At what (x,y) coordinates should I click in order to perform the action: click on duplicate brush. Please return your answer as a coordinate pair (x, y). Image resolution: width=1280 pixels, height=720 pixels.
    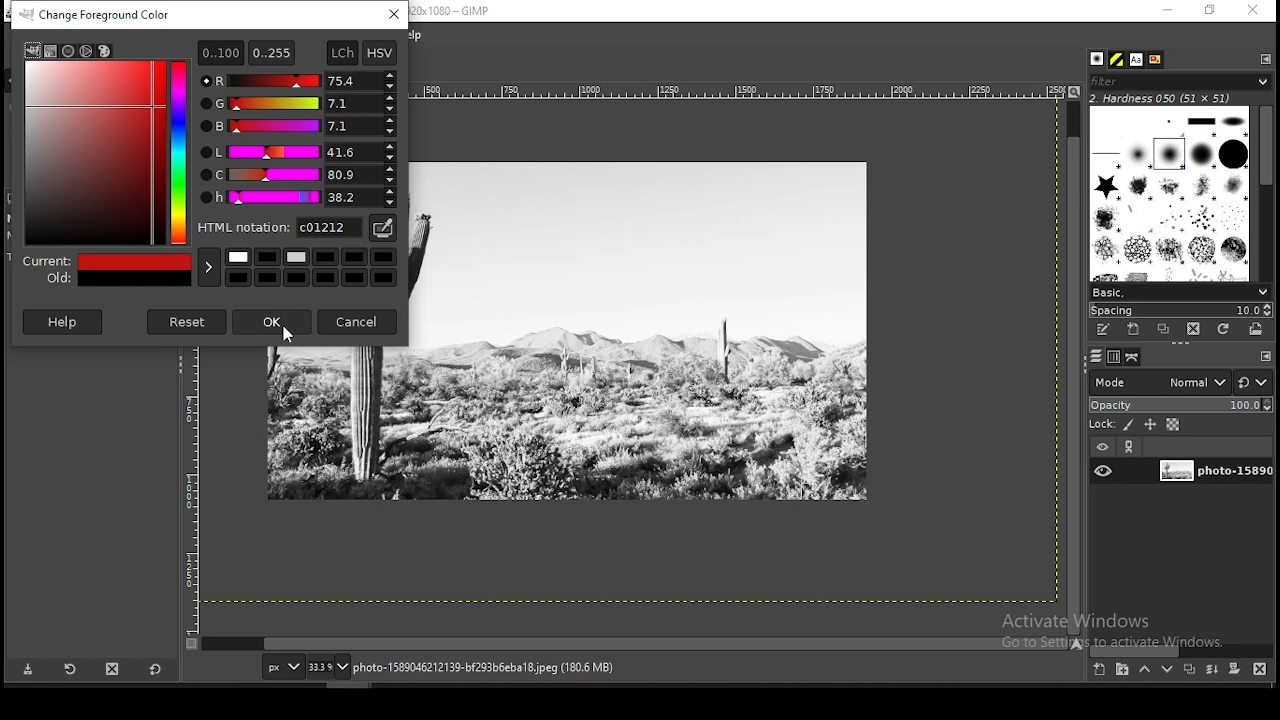
    Looking at the image, I should click on (1163, 330).